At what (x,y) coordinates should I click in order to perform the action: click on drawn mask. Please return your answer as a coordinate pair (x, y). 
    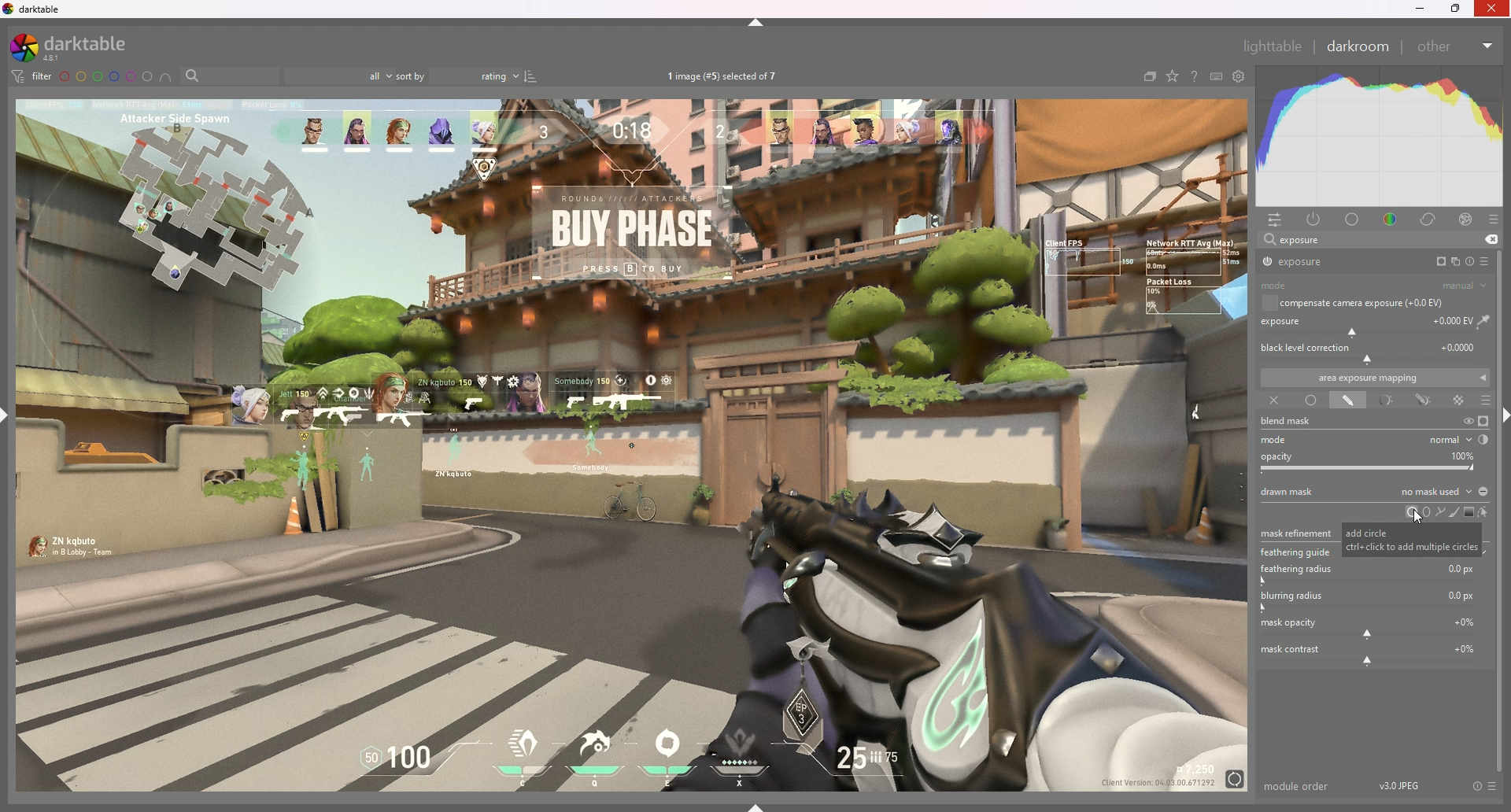
    Looking at the image, I should click on (1374, 491).